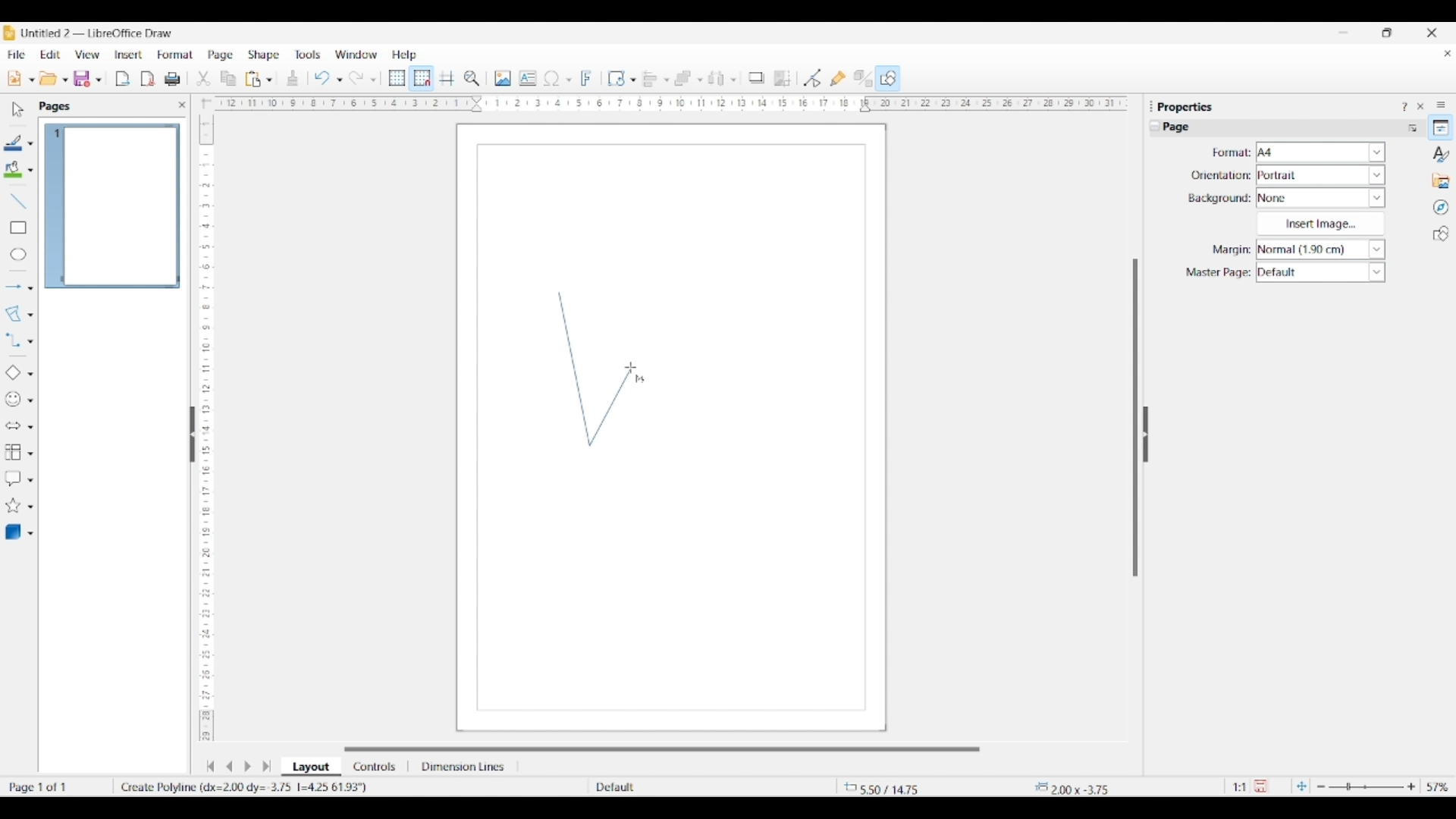 The height and width of the screenshot is (819, 1456). Describe the element at coordinates (632, 80) in the screenshot. I see `Transformations option` at that location.